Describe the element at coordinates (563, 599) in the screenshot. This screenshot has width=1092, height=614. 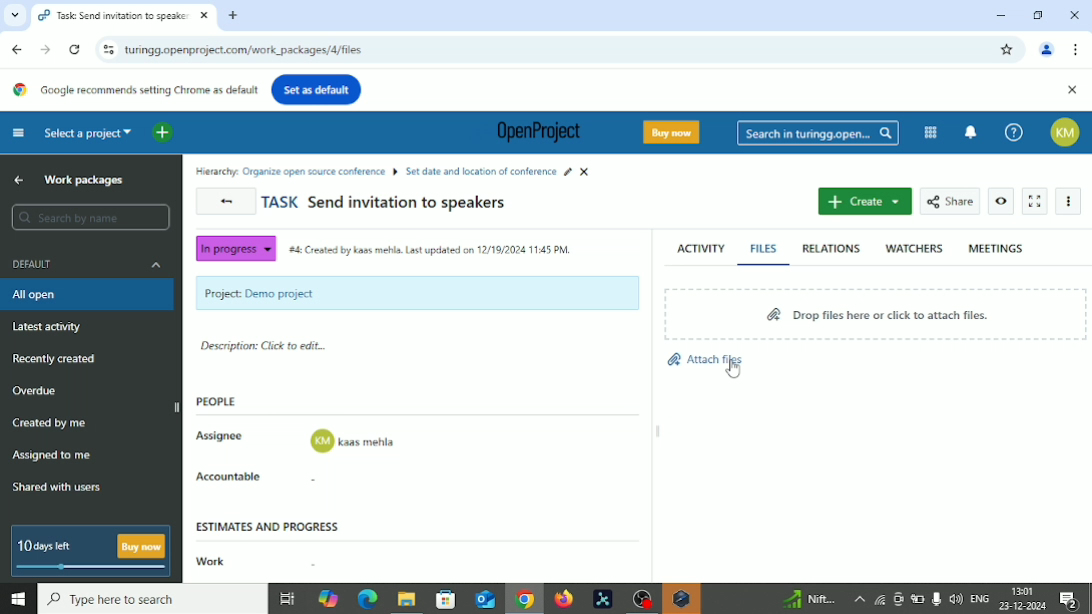
I see `Firefox` at that location.